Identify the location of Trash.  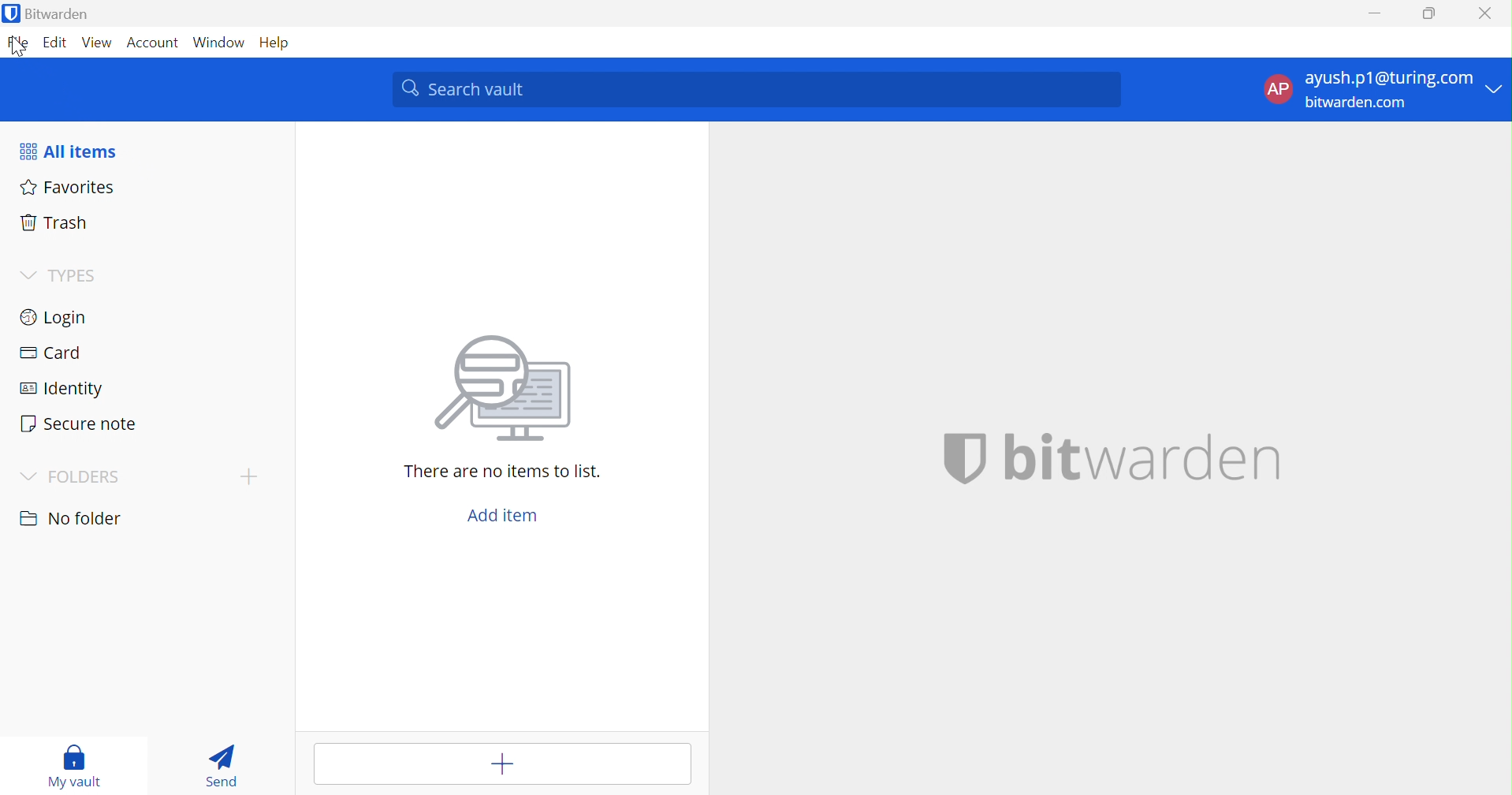
(58, 222).